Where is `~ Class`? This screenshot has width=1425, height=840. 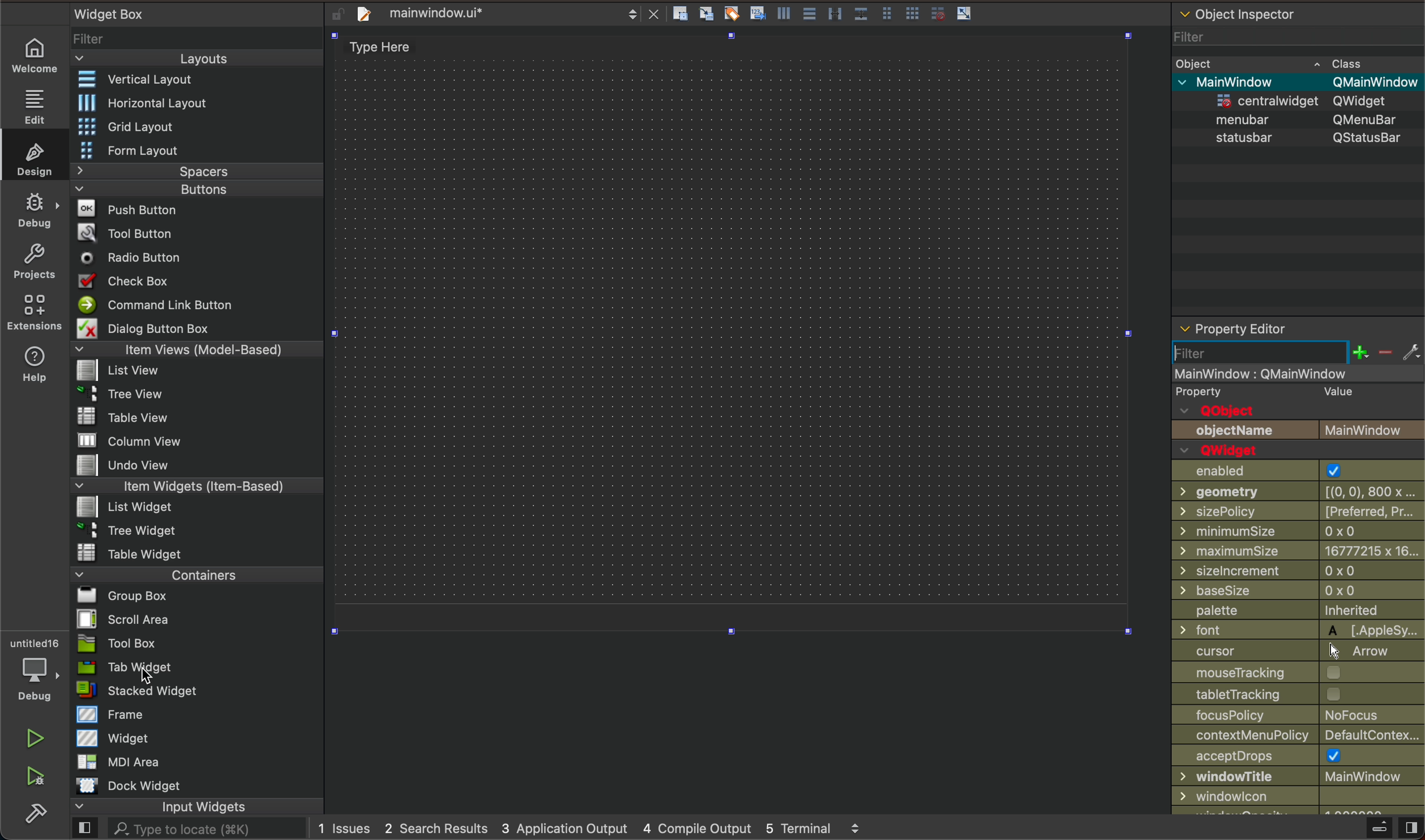 ~ Class is located at coordinates (1342, 60).